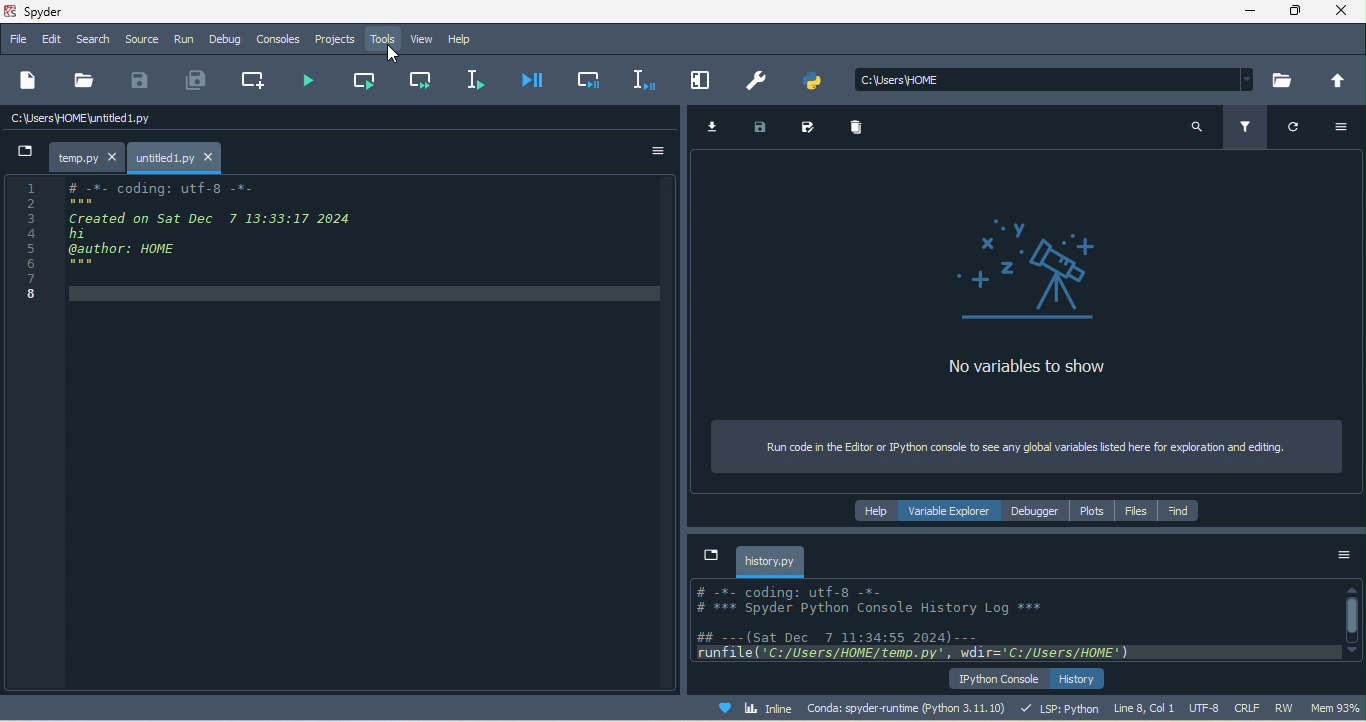  I want to click on conda spyder runtime, so click(911, 708).